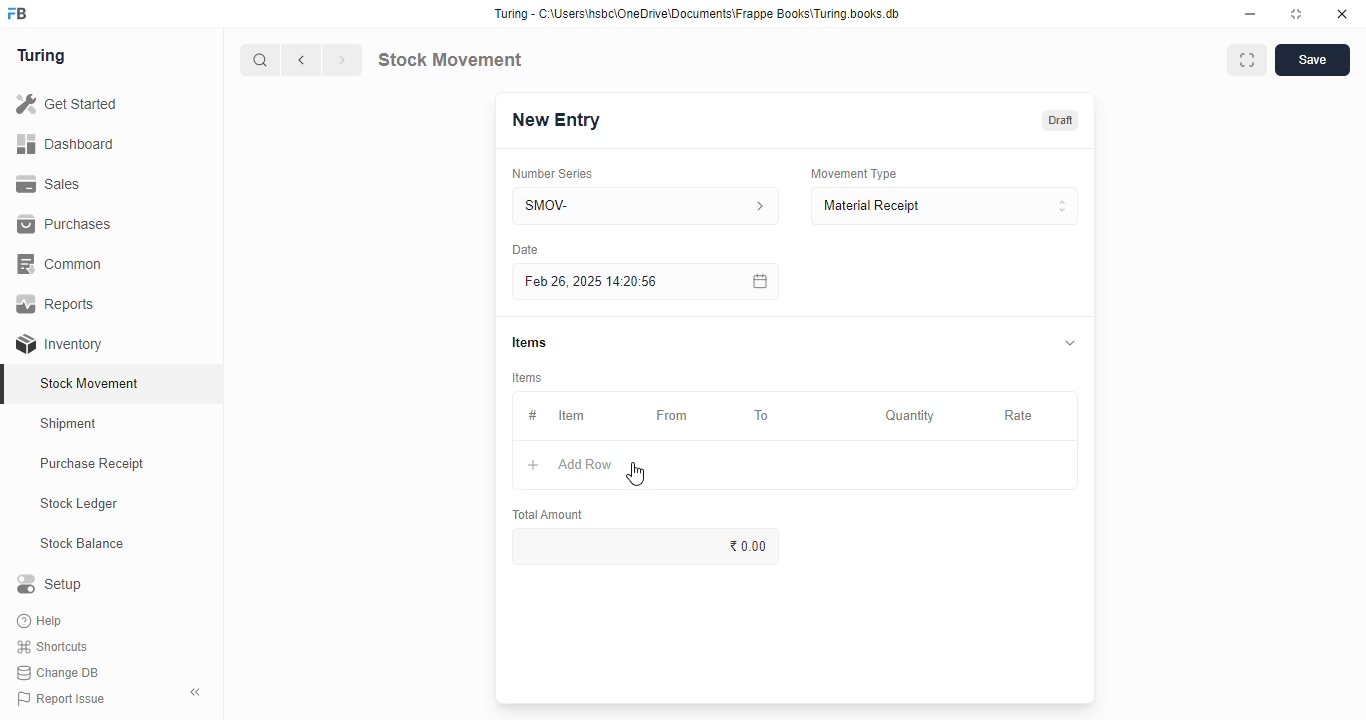 This screenshot has width=1366, height=720. I want to click on help, so click(42, 621).